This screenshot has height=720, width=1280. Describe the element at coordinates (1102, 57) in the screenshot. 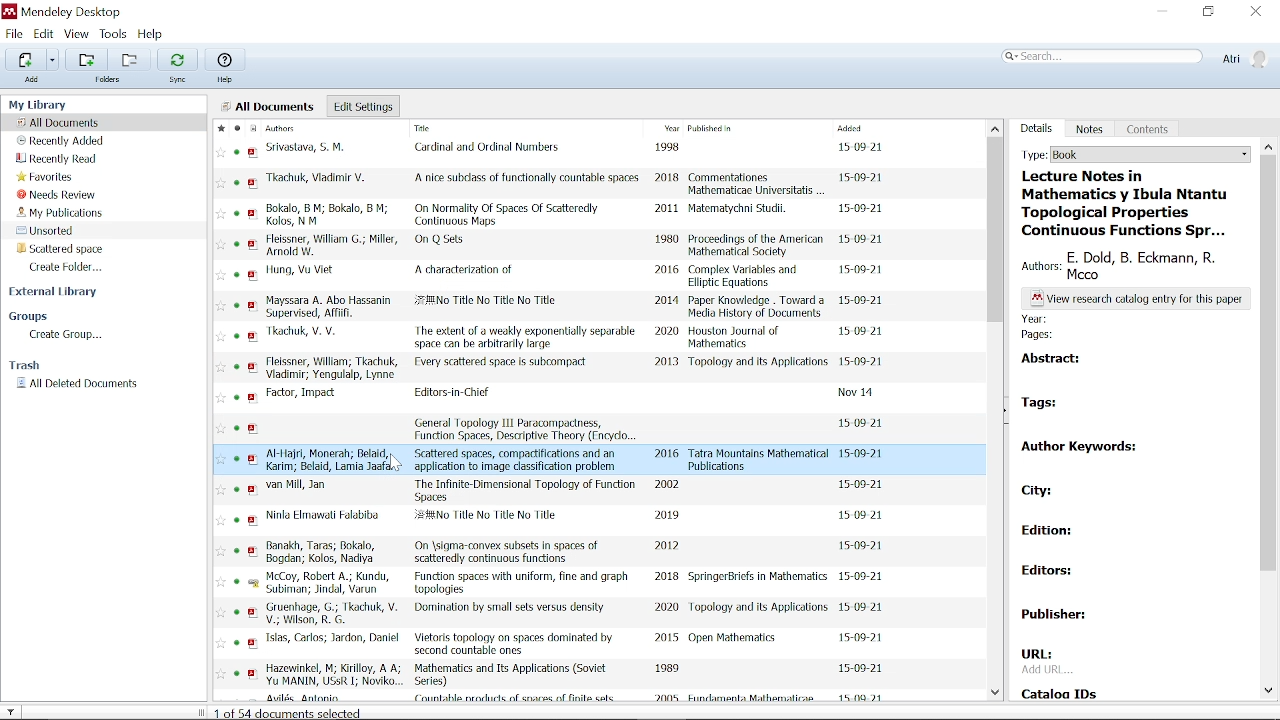

I see `Search` at that location.